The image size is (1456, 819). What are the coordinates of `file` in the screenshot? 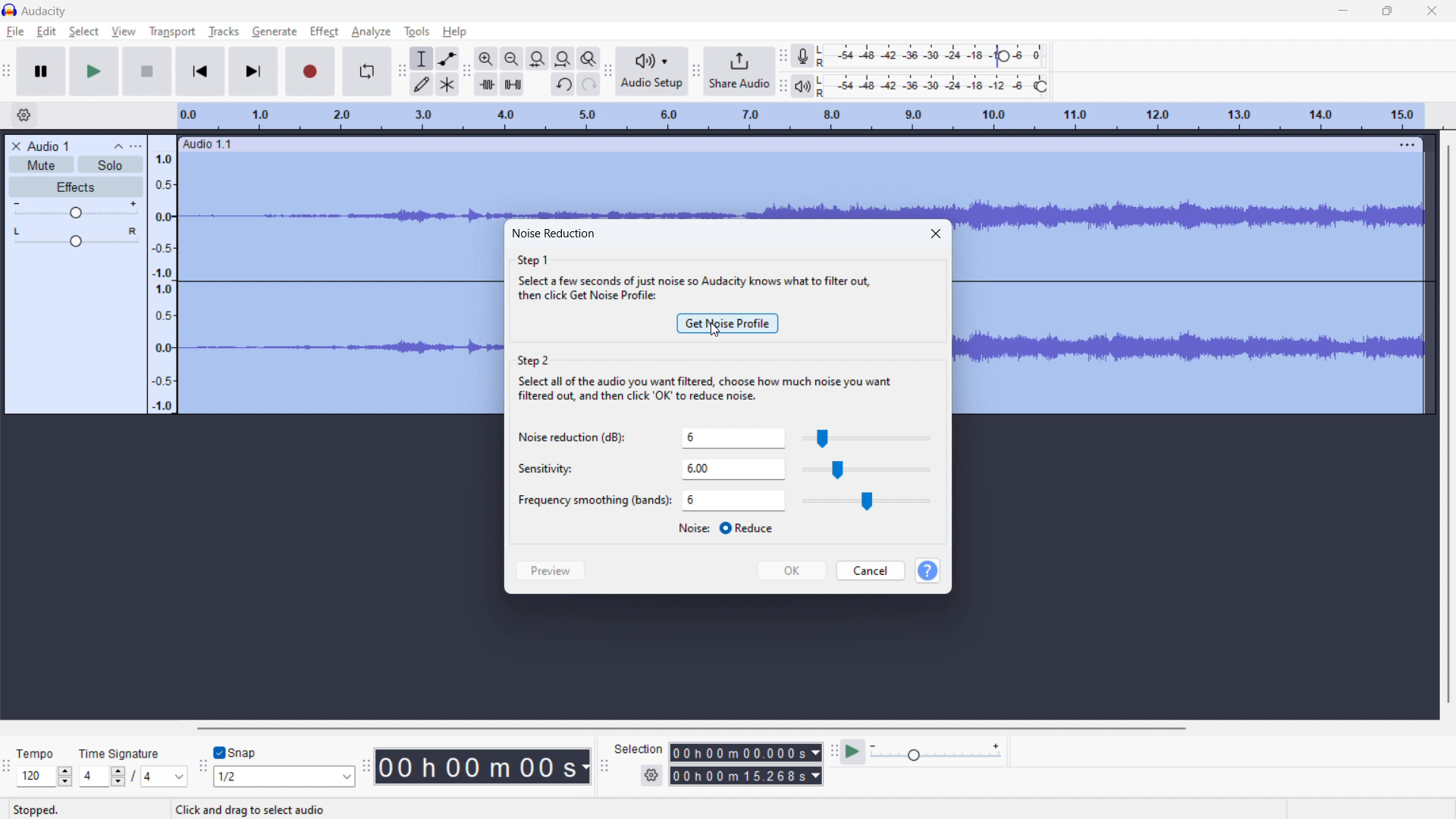 It's located at (15, 31).